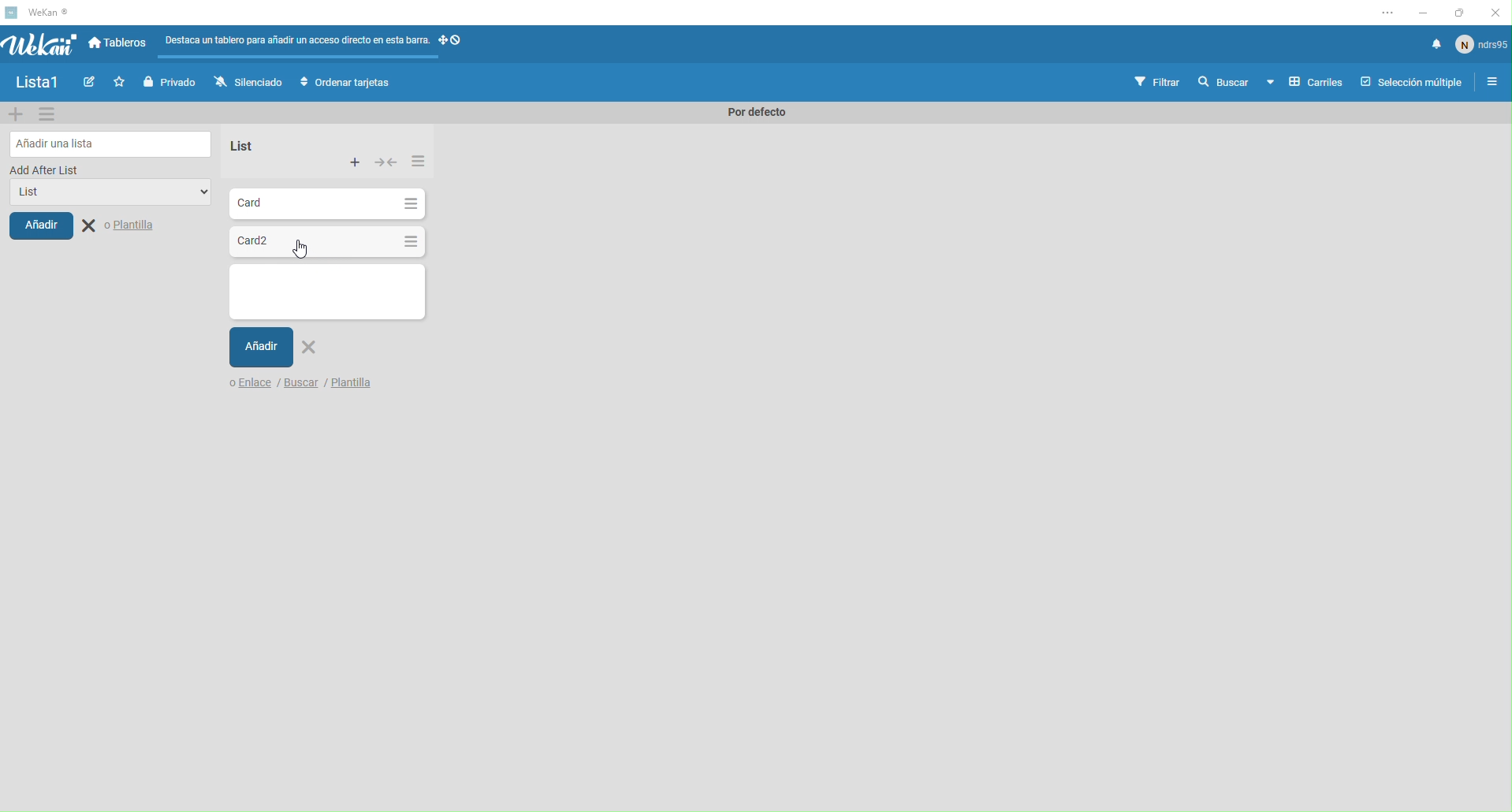 The height and width of the screenshot is (812, 1512). I want to click on list, so click(105, 197).